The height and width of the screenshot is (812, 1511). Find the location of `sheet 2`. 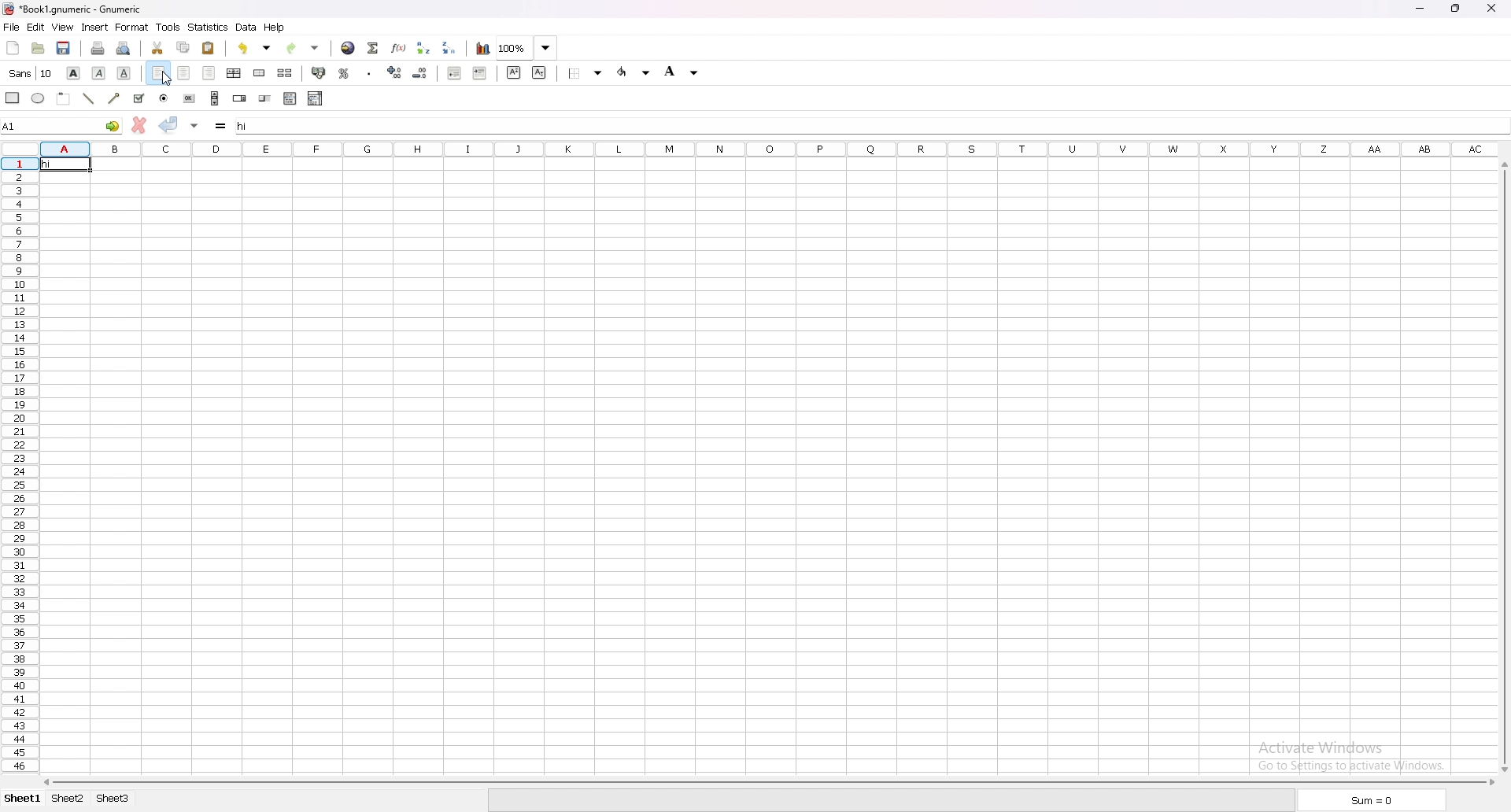

sheet 2 is located at coordinates (68, 798).